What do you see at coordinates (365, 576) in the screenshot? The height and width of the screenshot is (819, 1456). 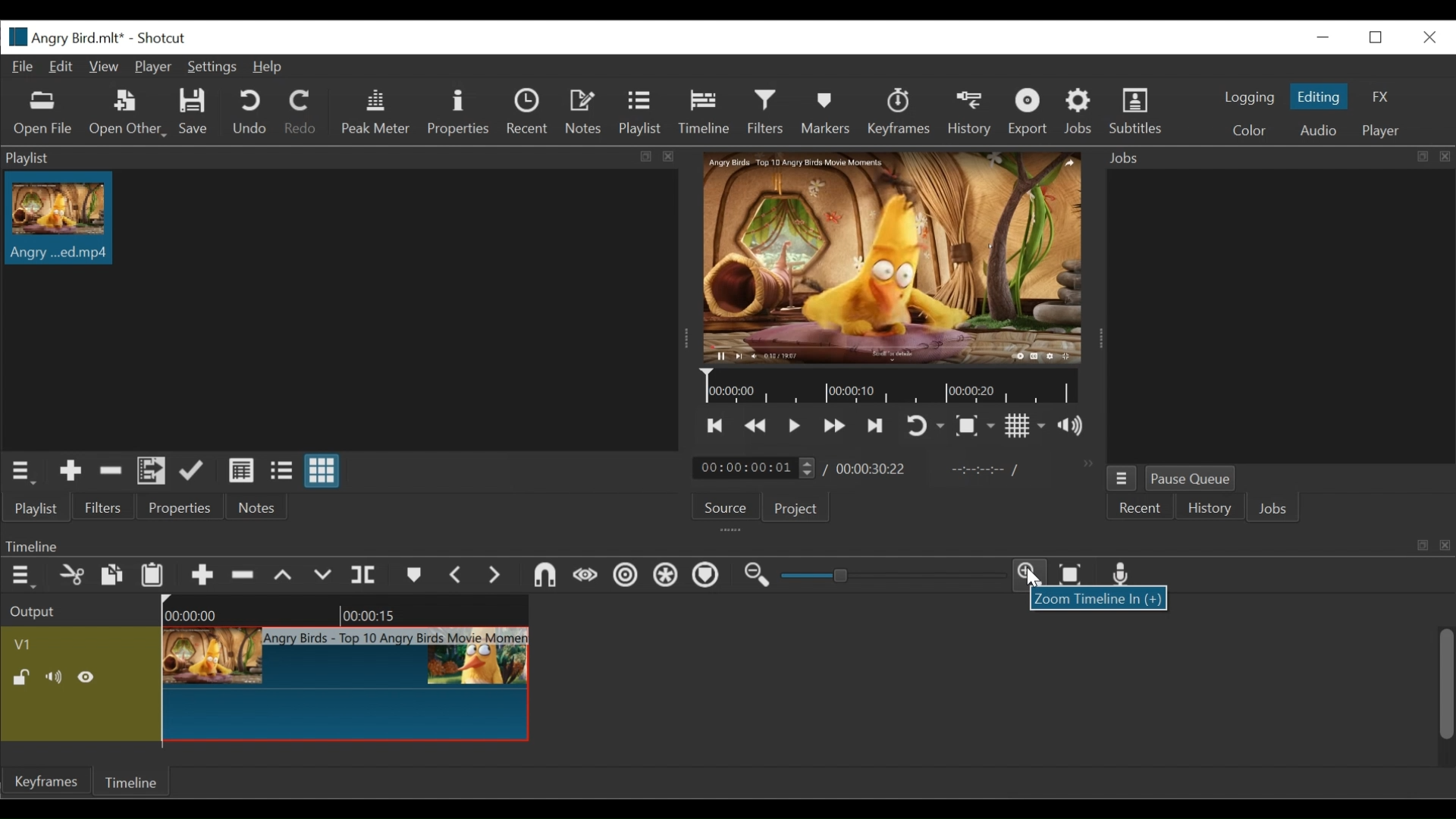 I see `Split playhead` at bounding box center [365, 576].